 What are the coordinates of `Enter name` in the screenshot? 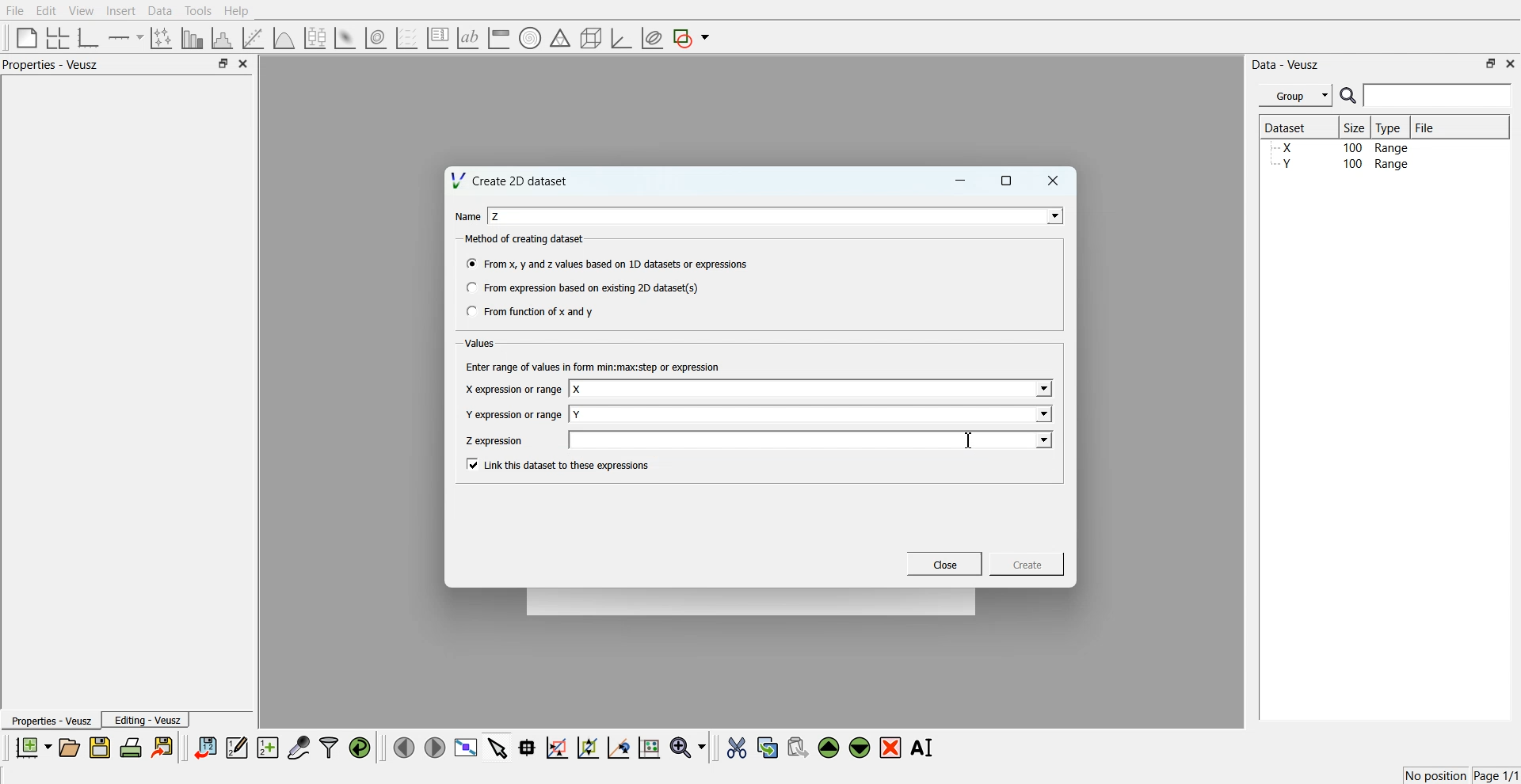 It's located at (776, 215).